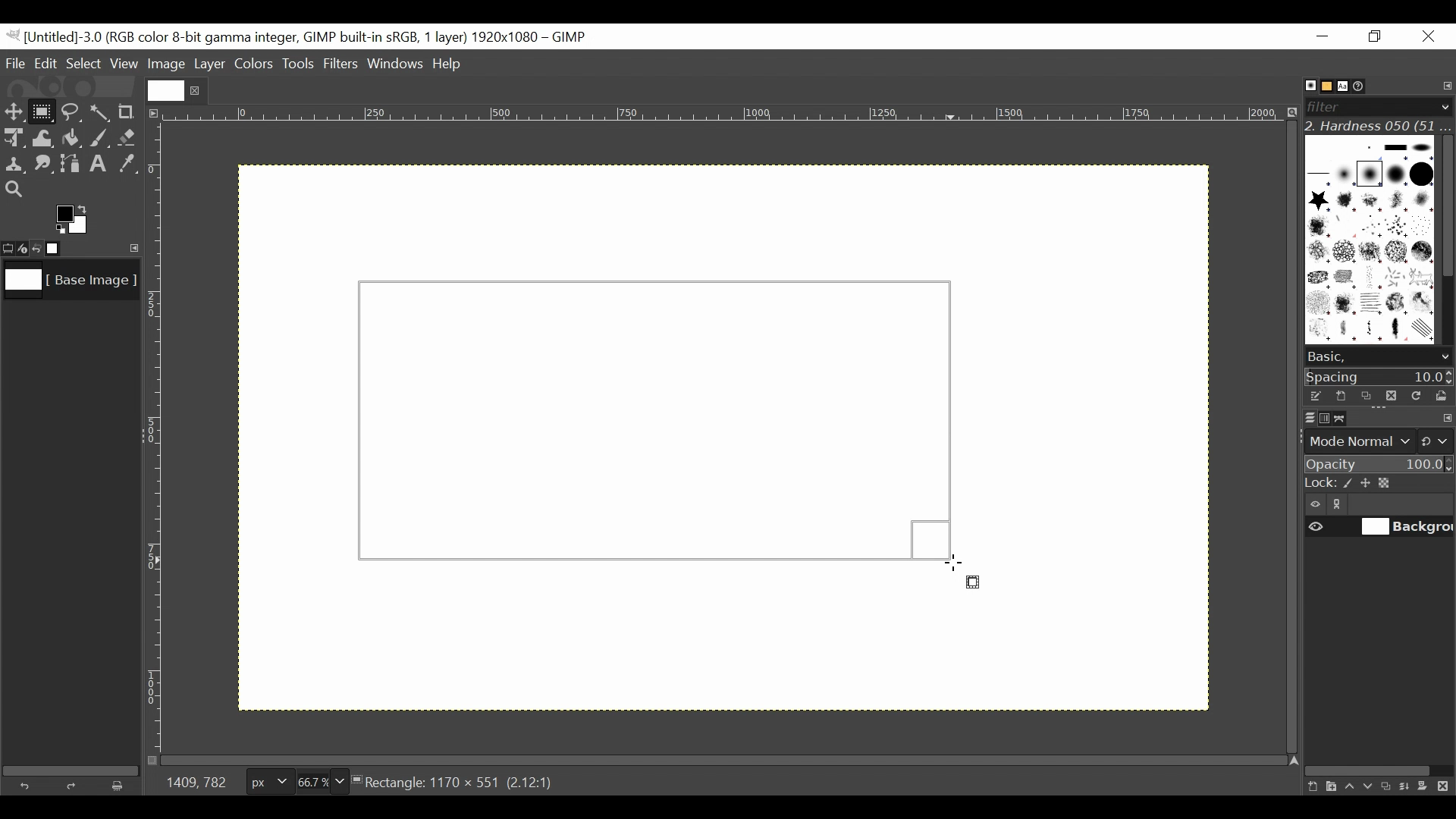  What do you see at coordinates (1427, 37) in the screenshot?
I see `Close` at bounding box center [1427, 37].